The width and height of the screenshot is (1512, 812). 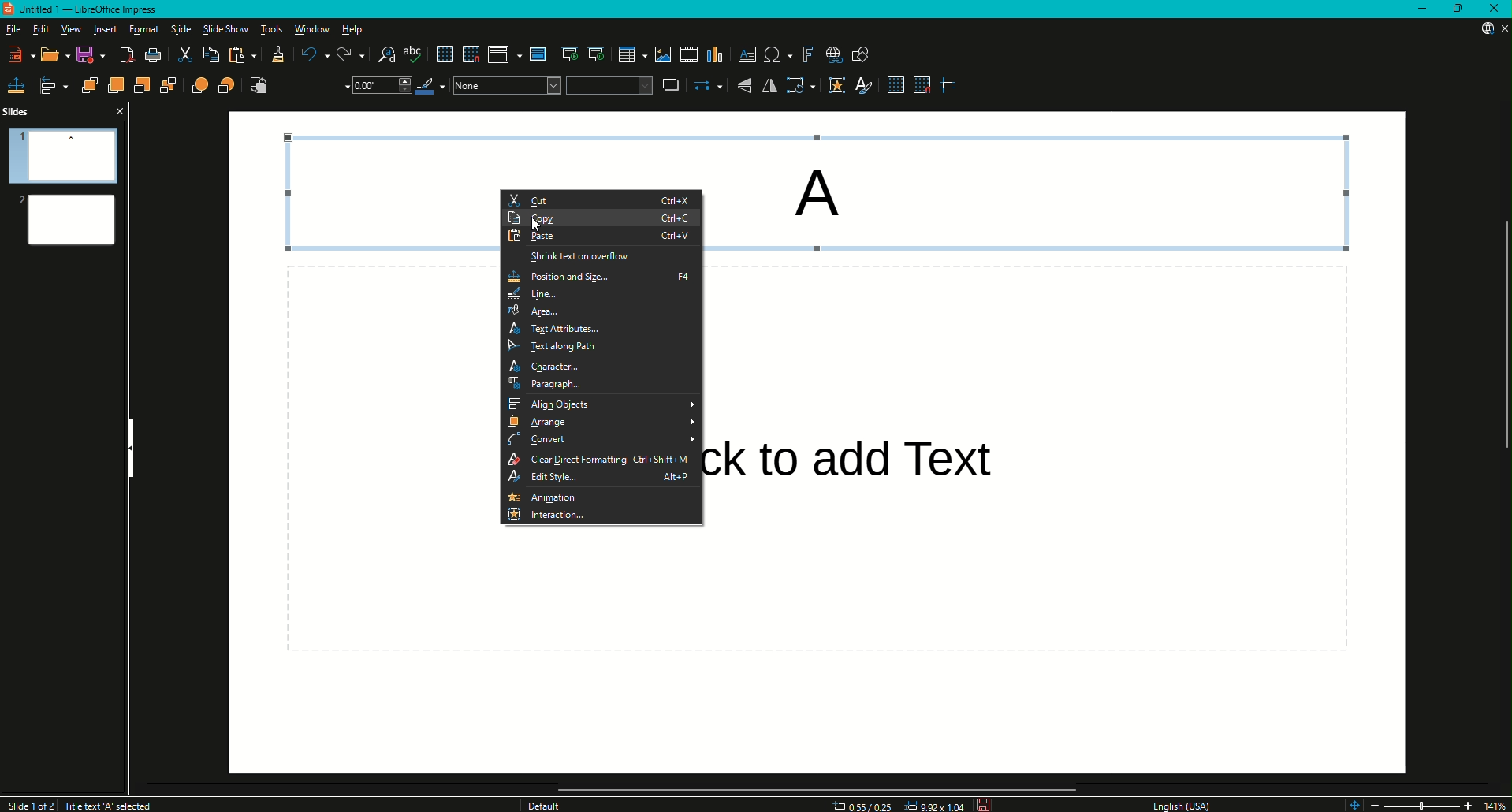 I want to click on Animation, so click(x=604, y=497).